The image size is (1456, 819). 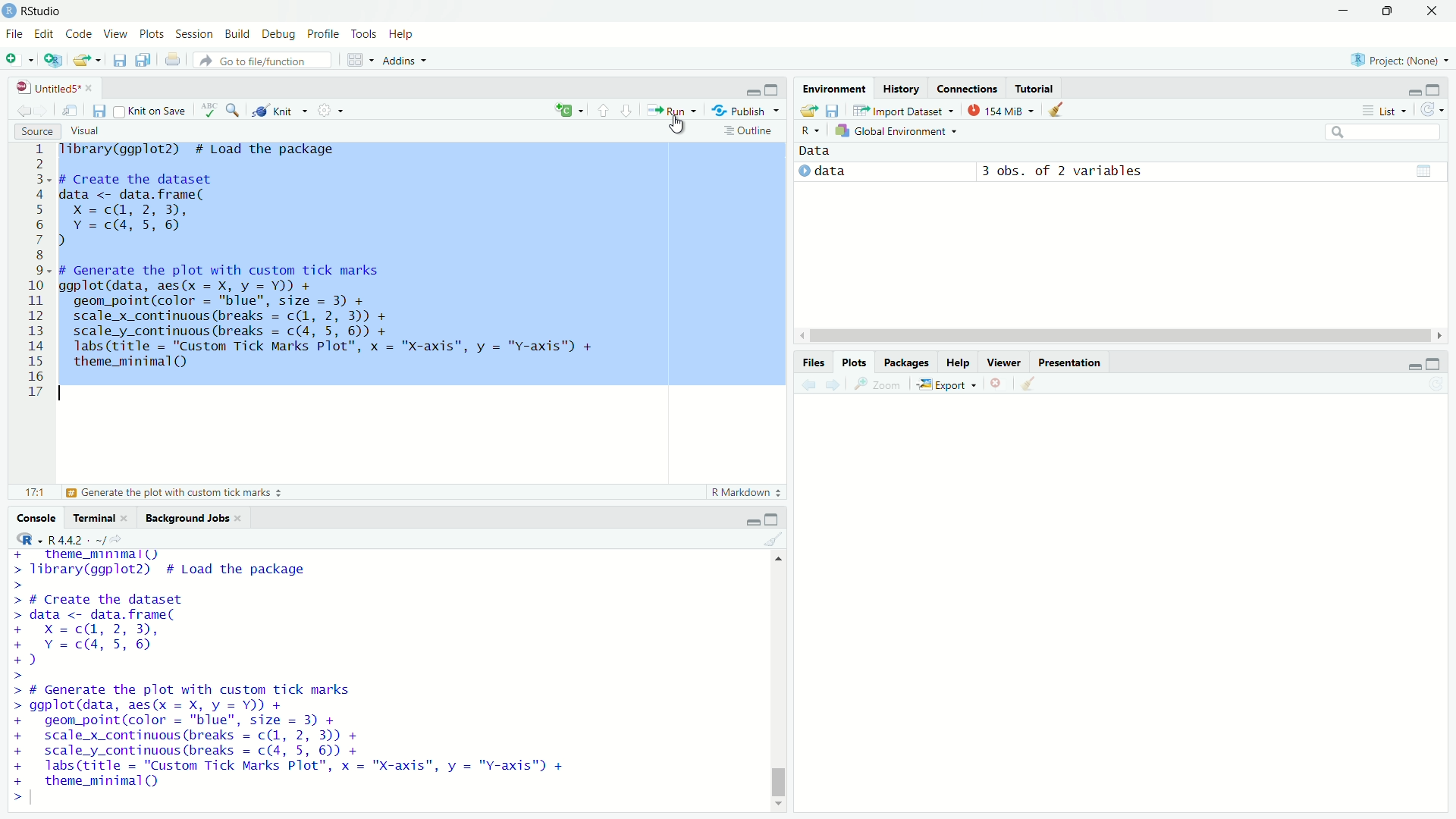 I want to click on r markdown, so click(x=742, y=491).